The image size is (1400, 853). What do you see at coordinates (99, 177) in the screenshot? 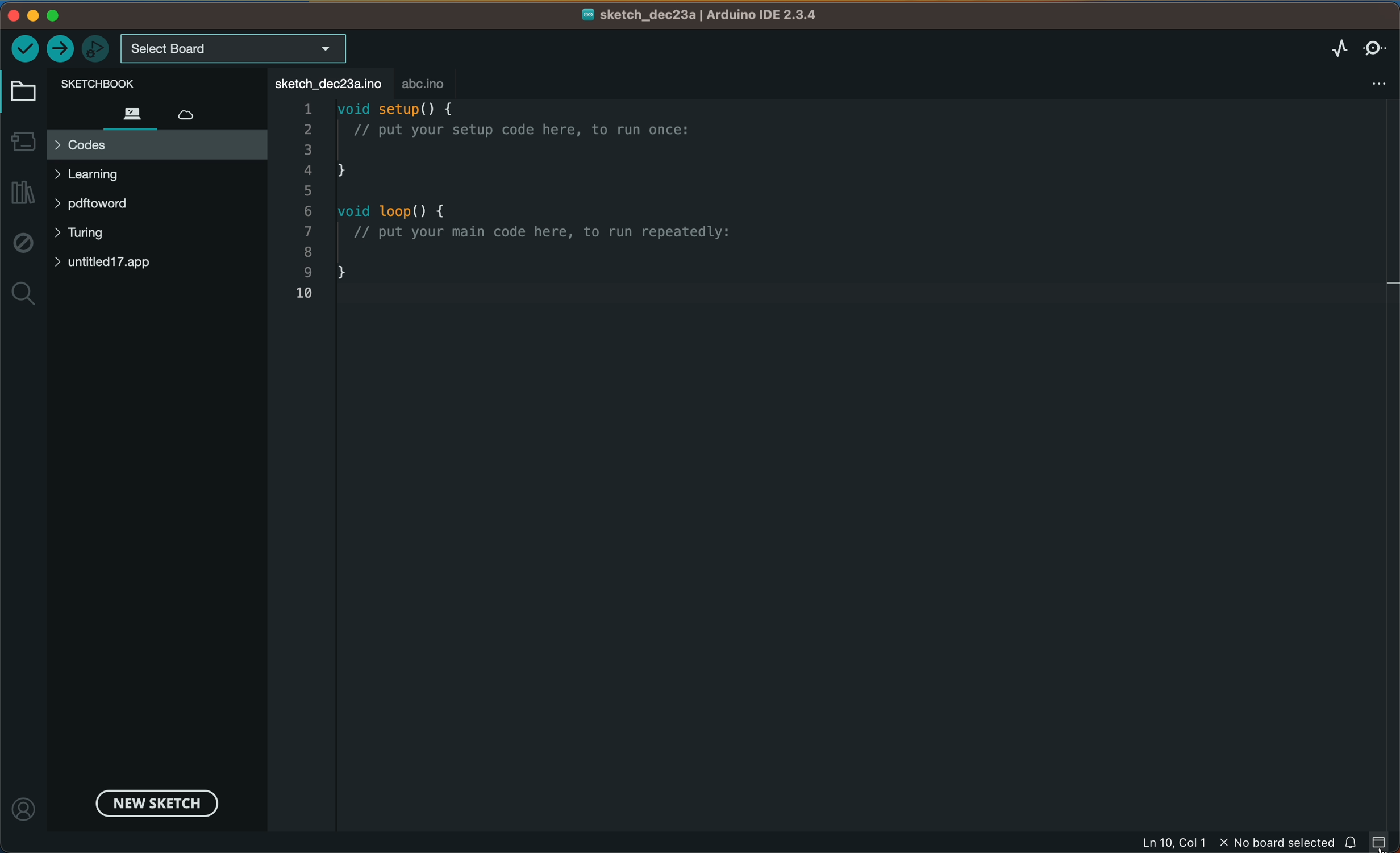
I see `learnings` at bounding box center [99, 177].